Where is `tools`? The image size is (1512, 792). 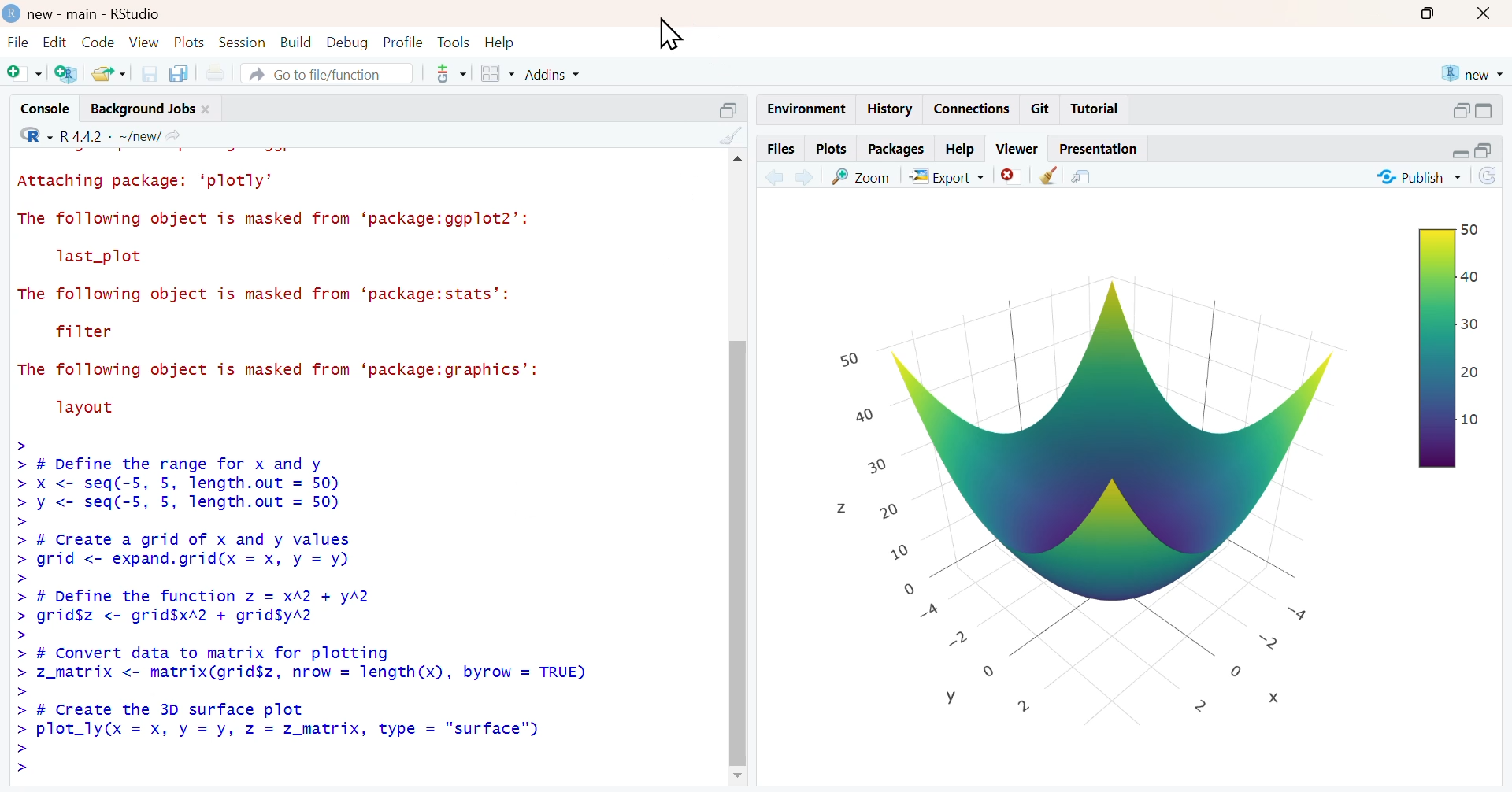 tools is located at coordinates (453, 41).